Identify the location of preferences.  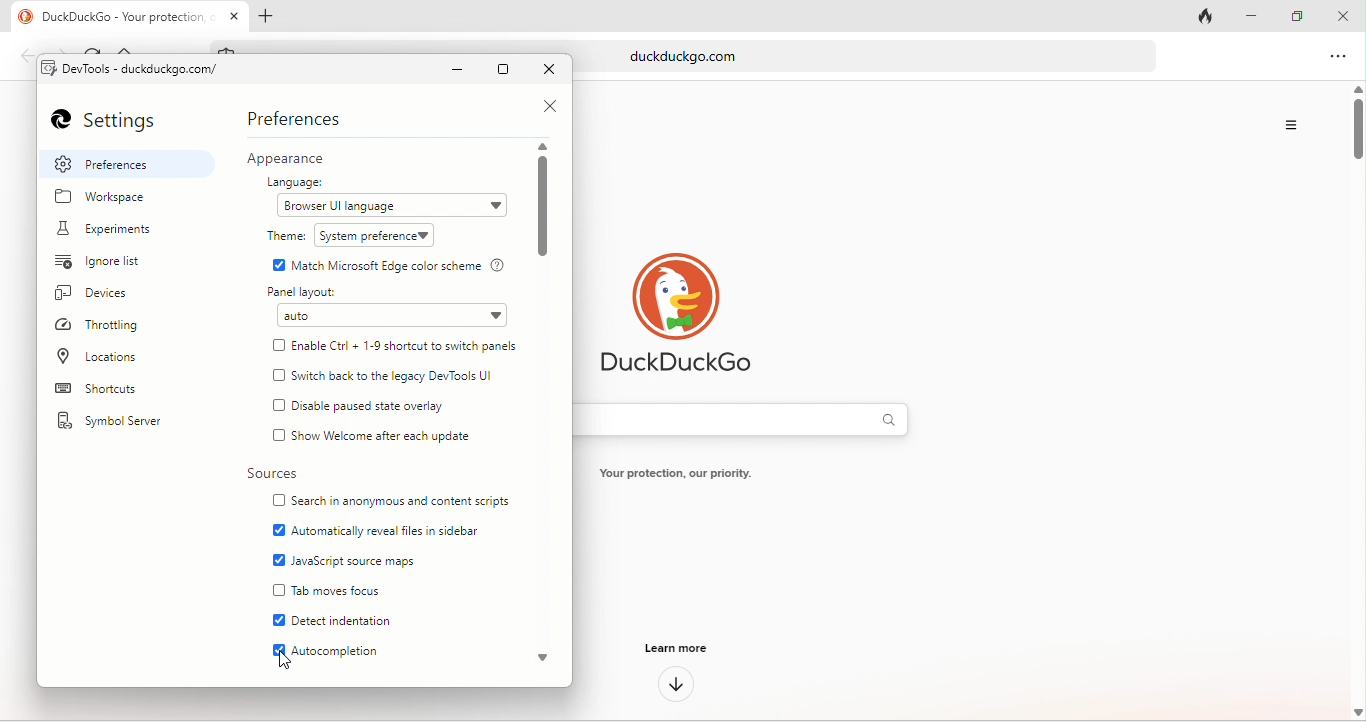
(130, 164).